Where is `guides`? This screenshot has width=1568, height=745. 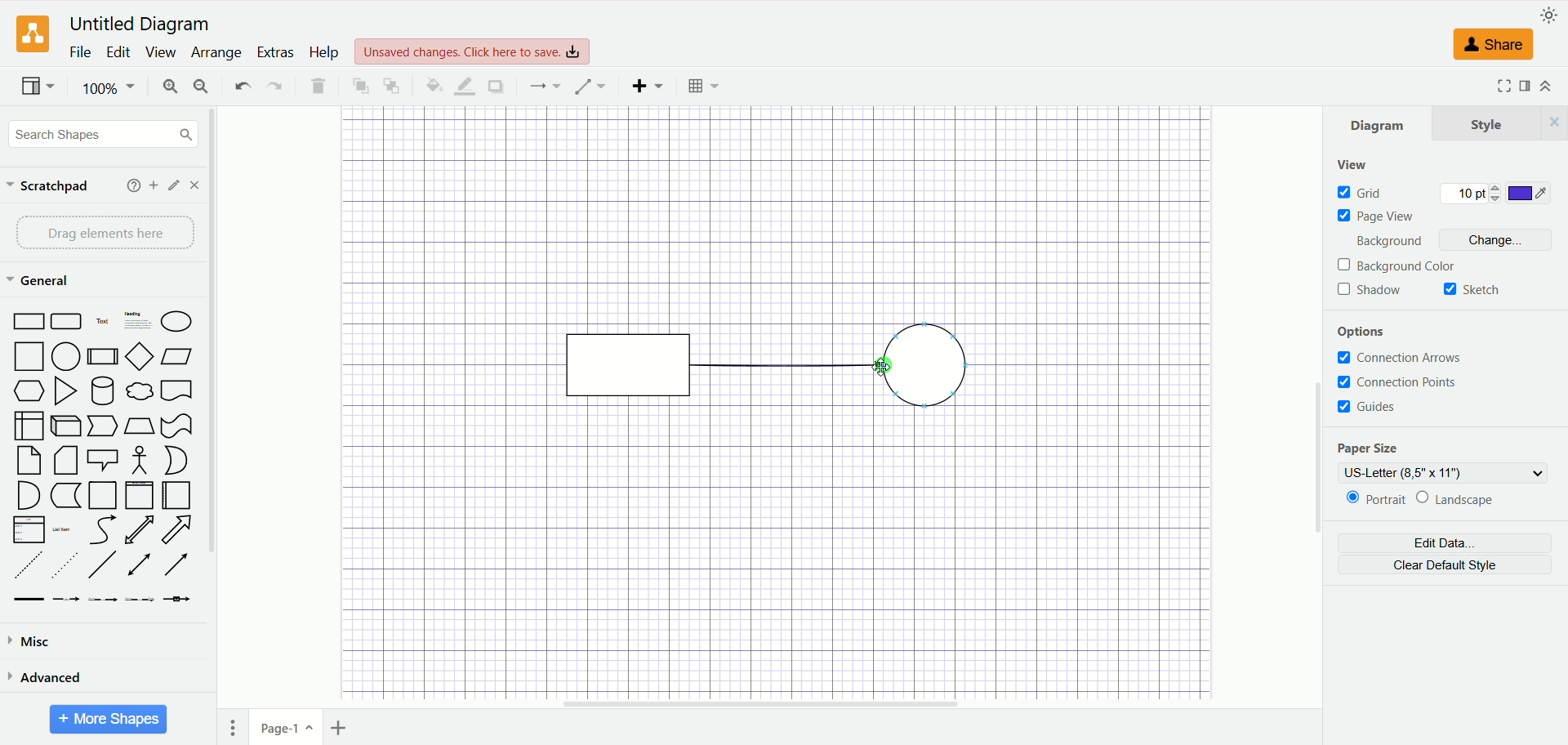
guides is located at coordinates (1366, 407).